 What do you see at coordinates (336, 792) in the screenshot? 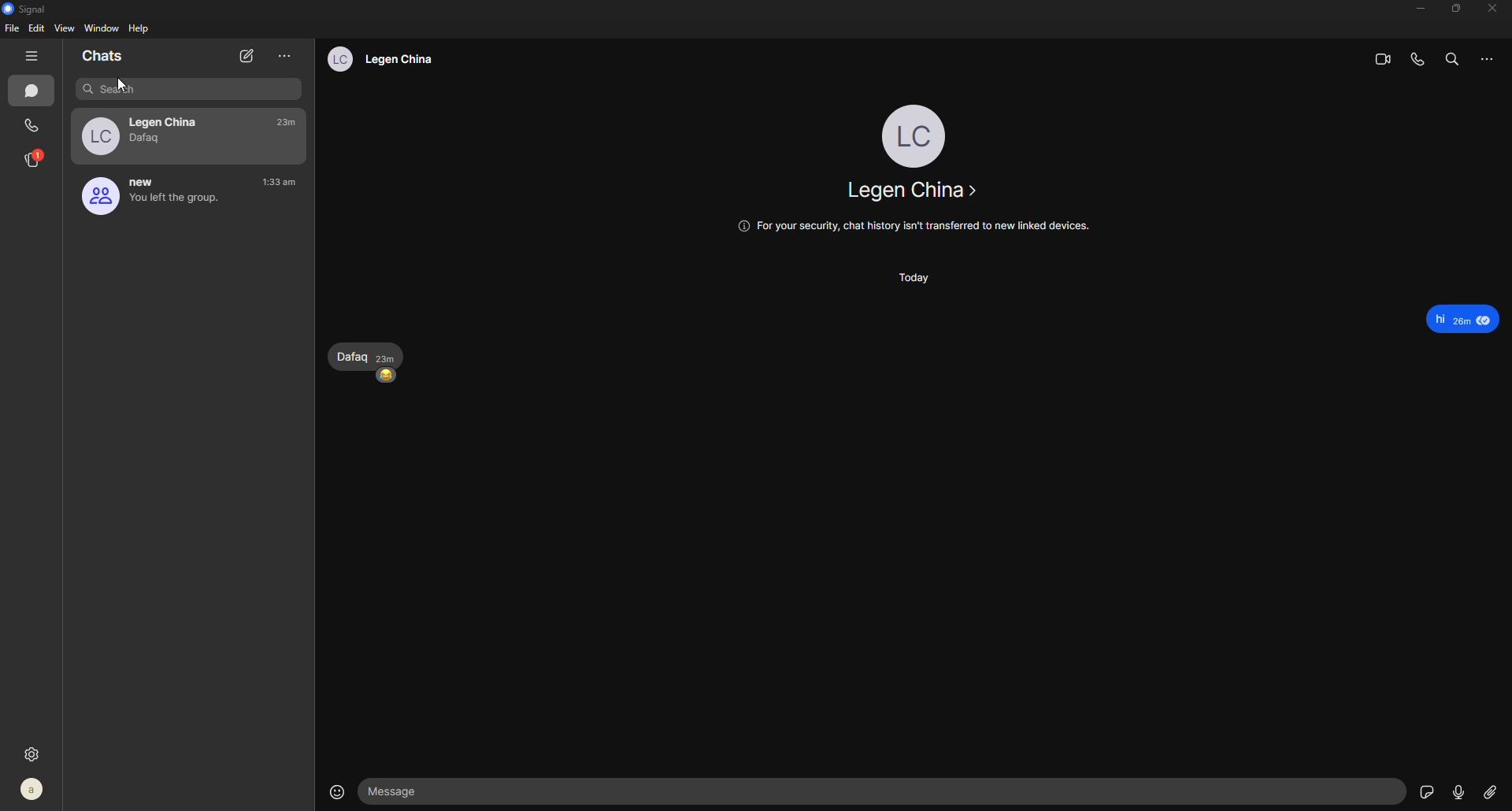
I see `emoji` at bounding box center [336, 792].